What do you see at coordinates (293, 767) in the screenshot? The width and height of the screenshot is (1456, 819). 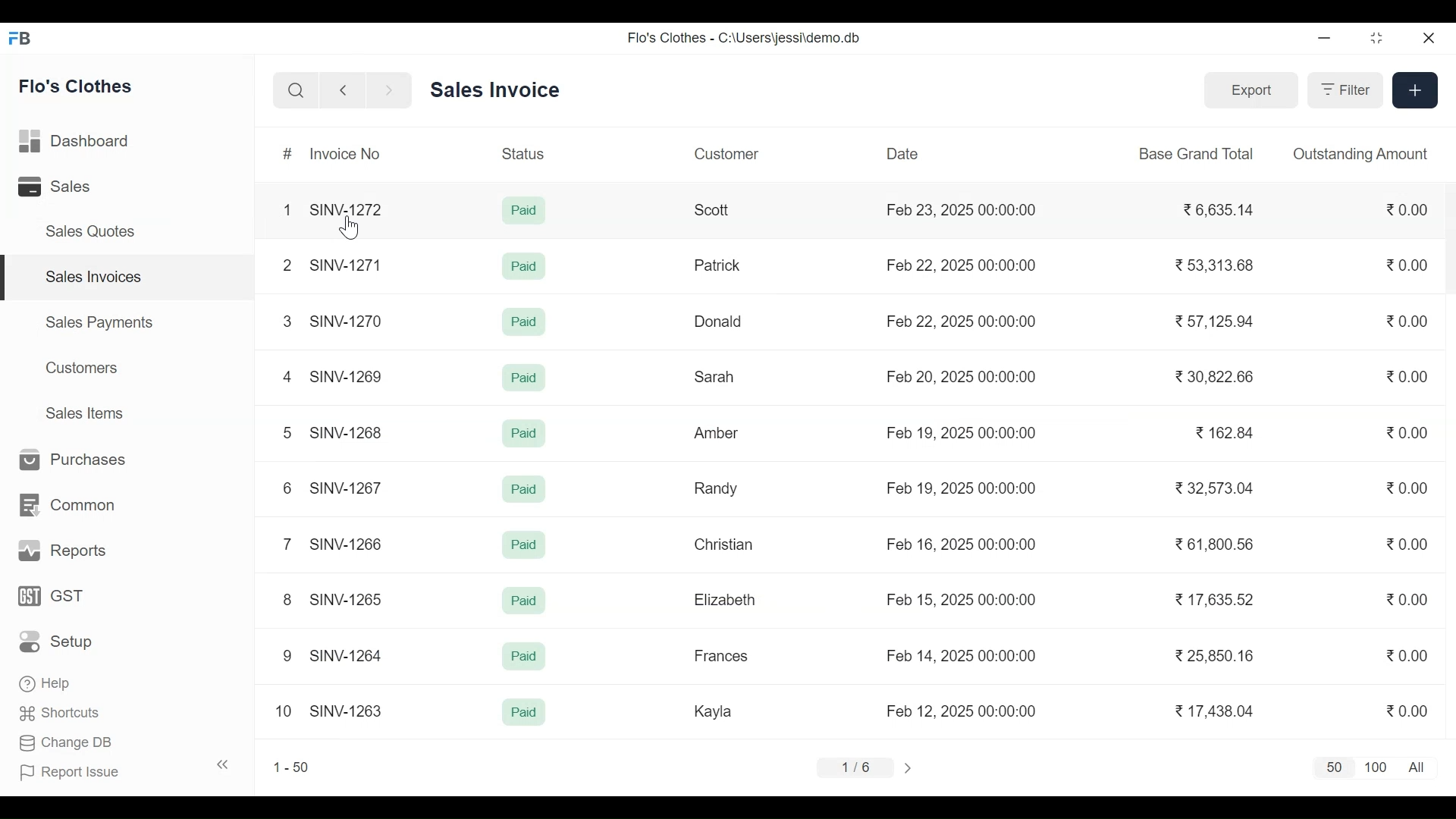 I see `1-50` at bounding box center [293, 767].